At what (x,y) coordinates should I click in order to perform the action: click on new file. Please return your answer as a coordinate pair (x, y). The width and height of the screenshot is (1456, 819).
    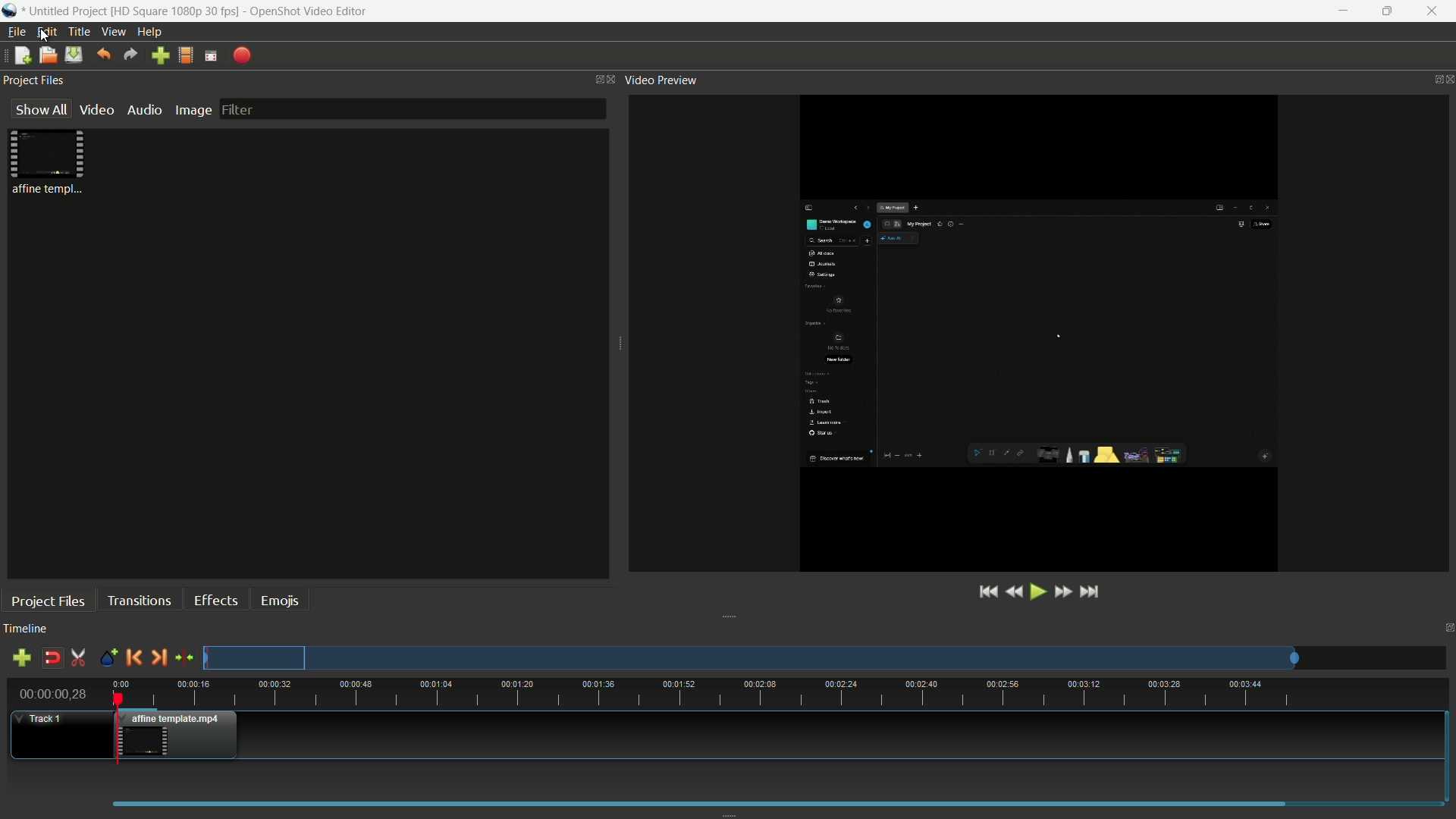
    Looking at the image, I should click on (20, 56).